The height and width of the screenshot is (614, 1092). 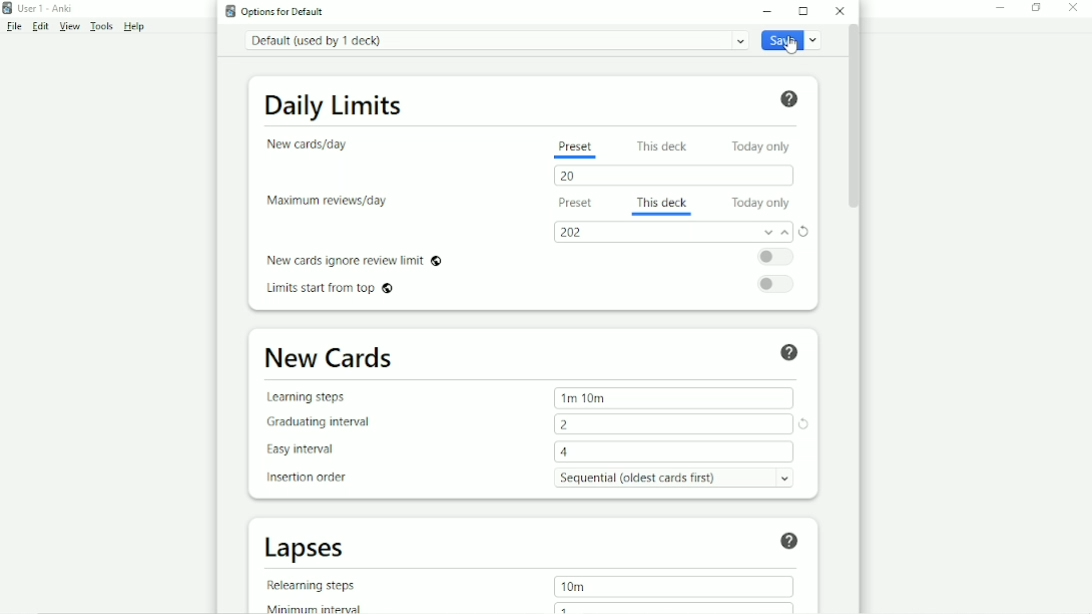 What do you see at coordinates (575, 147) in the screenshot?
I see `Preset` at bounding box center [575, 147].